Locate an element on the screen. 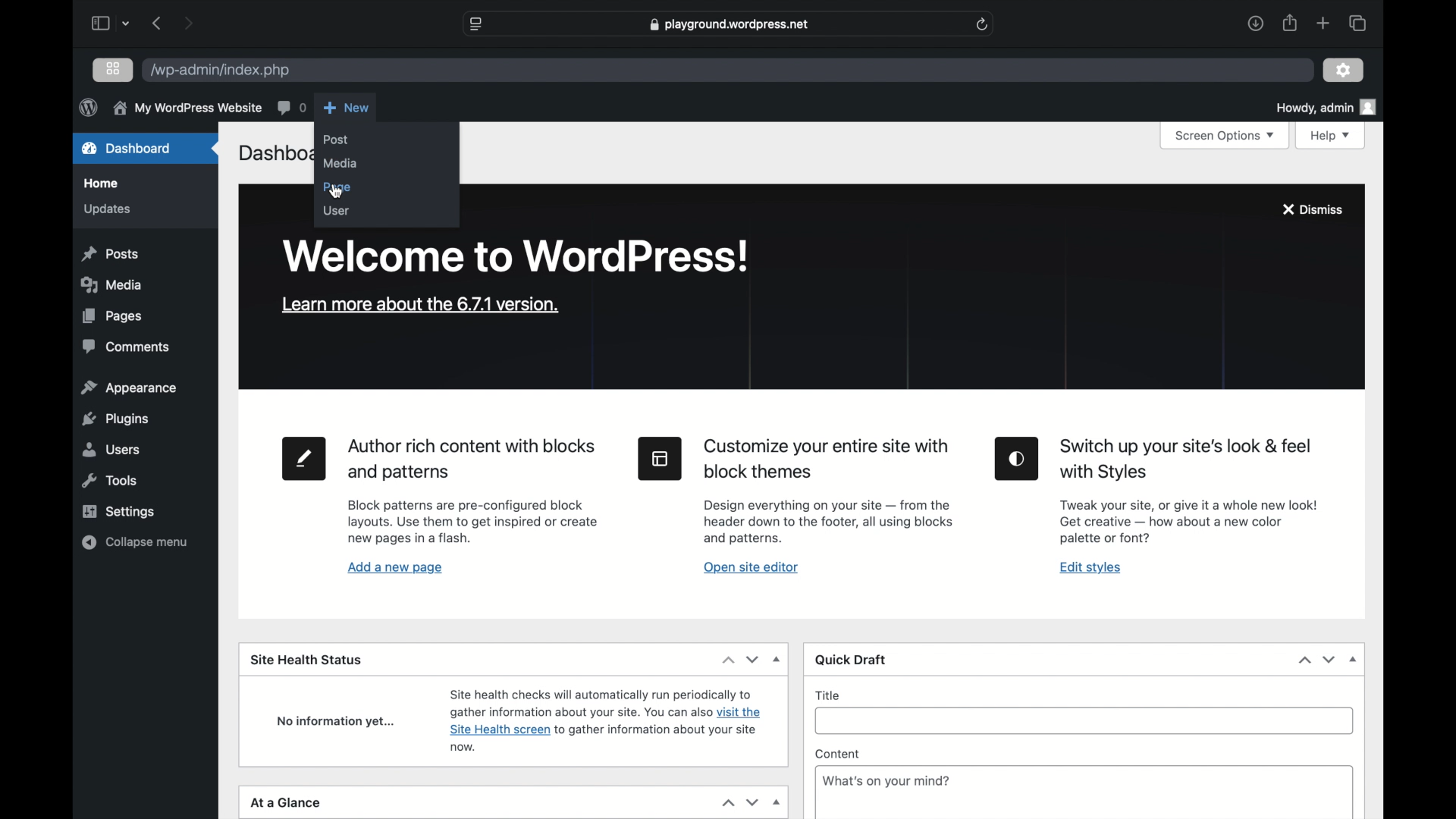  dashboard is located at coordinates (127, 148).